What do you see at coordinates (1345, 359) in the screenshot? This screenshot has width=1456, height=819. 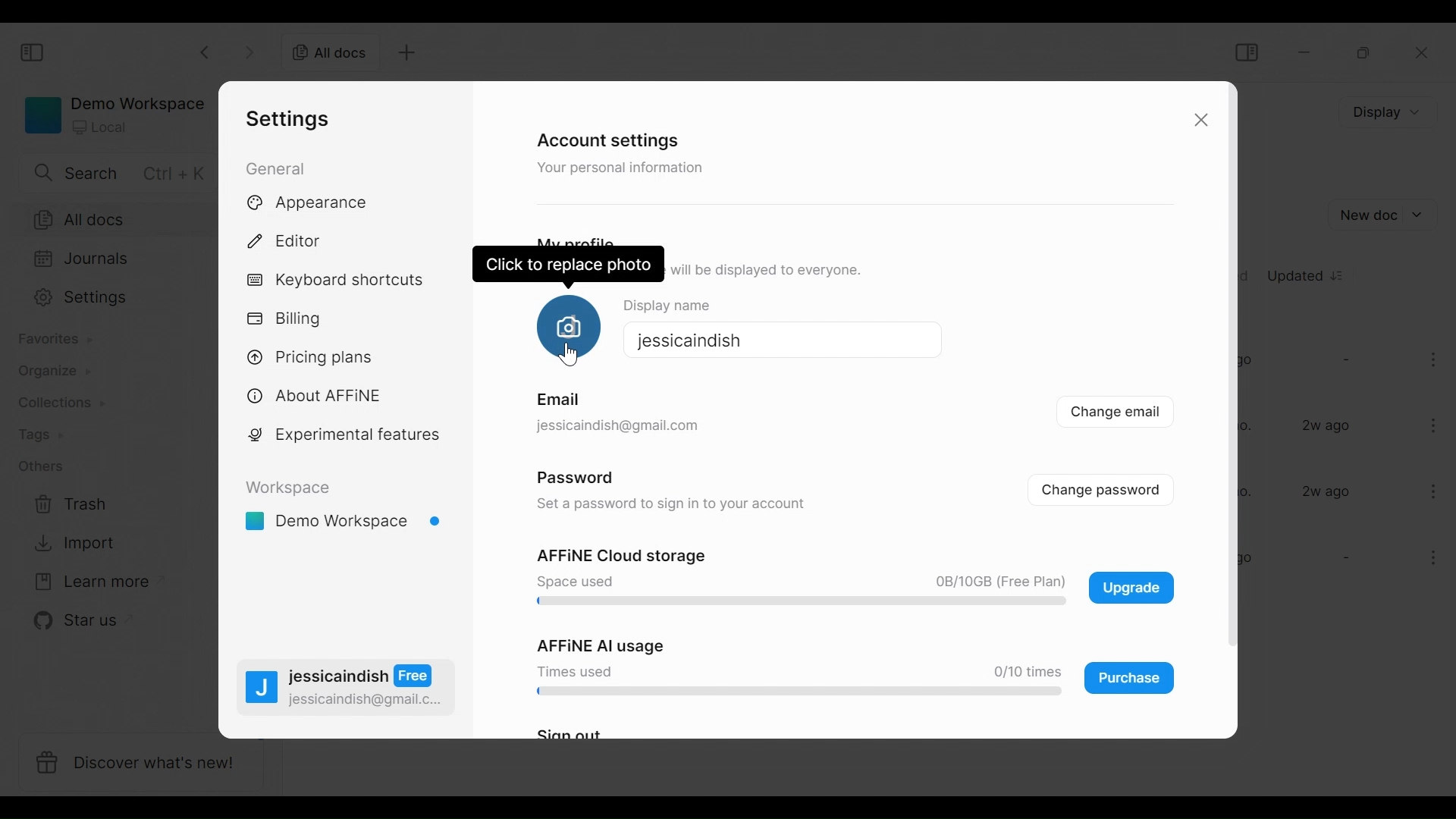 I see `-` at bounding box center [1345, 359].